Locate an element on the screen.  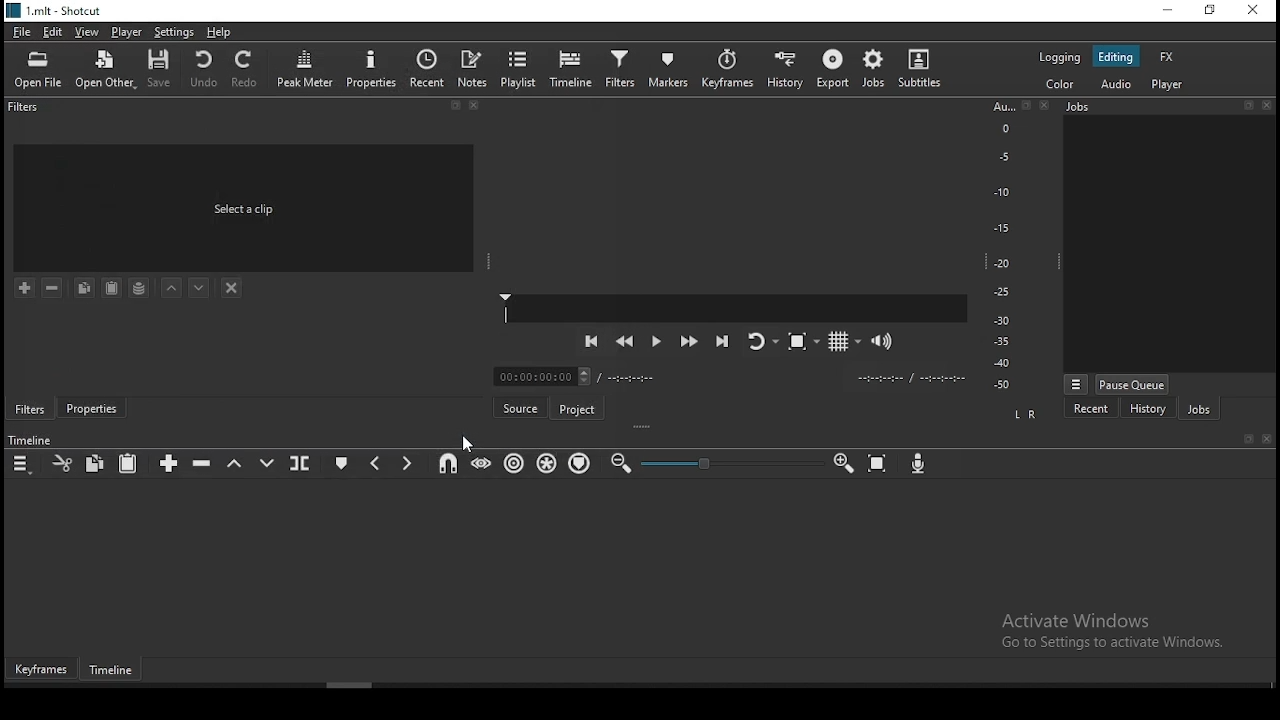
properties is located at coordinates (372, 67).